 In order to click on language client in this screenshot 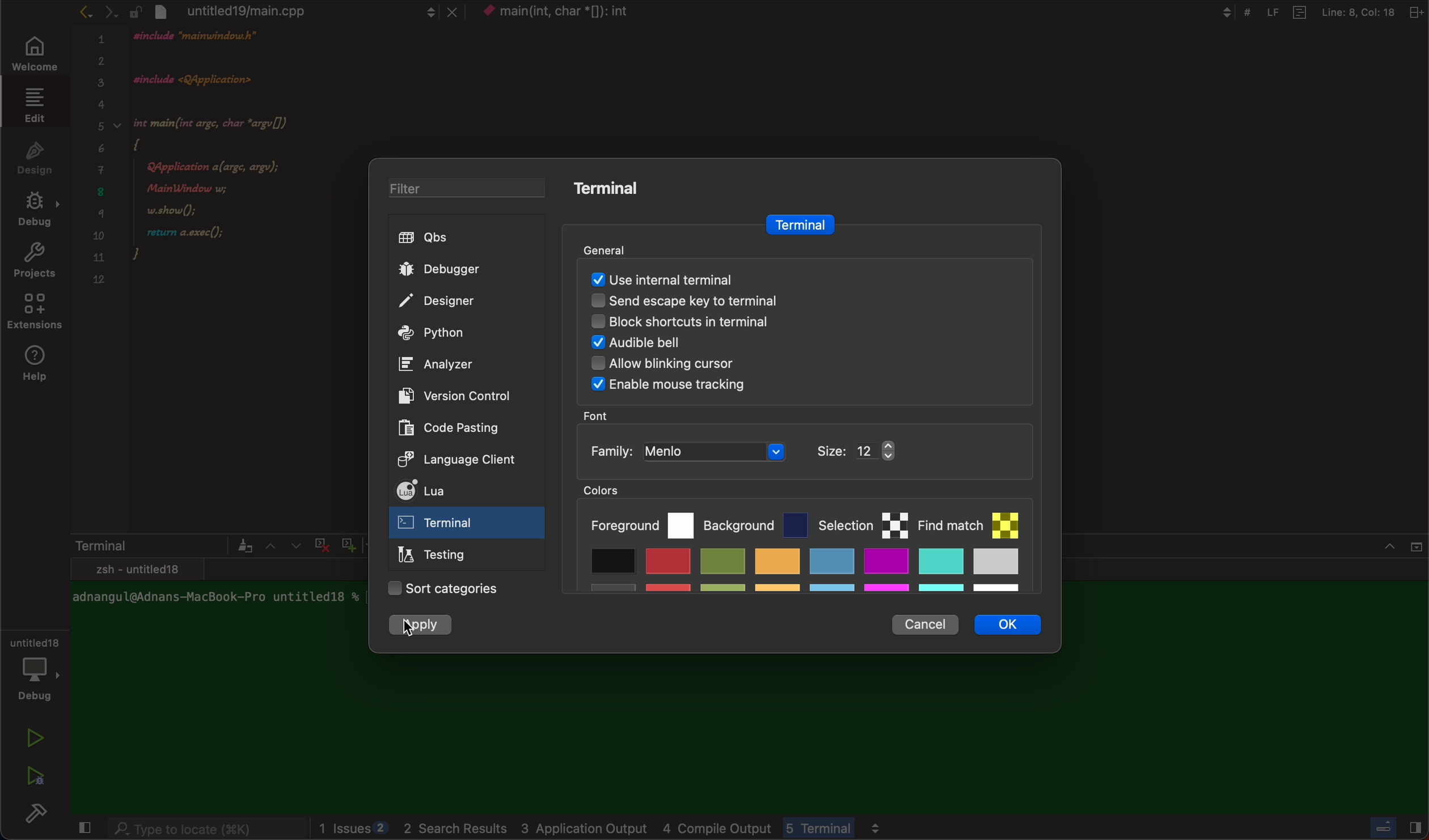, I will do `click(446, 458)`.